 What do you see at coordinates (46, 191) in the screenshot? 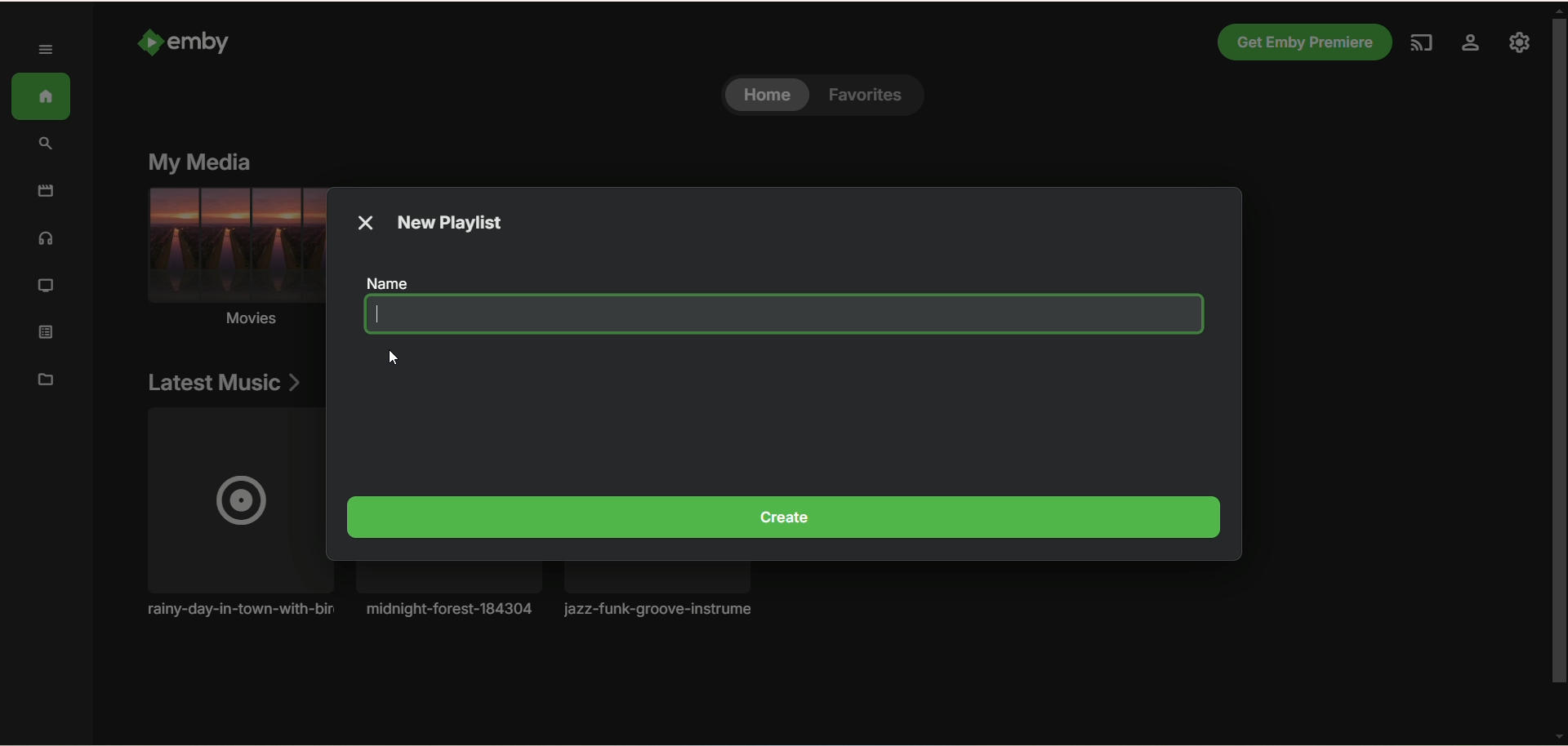
I see `movies` at bounding box center [46, 191].